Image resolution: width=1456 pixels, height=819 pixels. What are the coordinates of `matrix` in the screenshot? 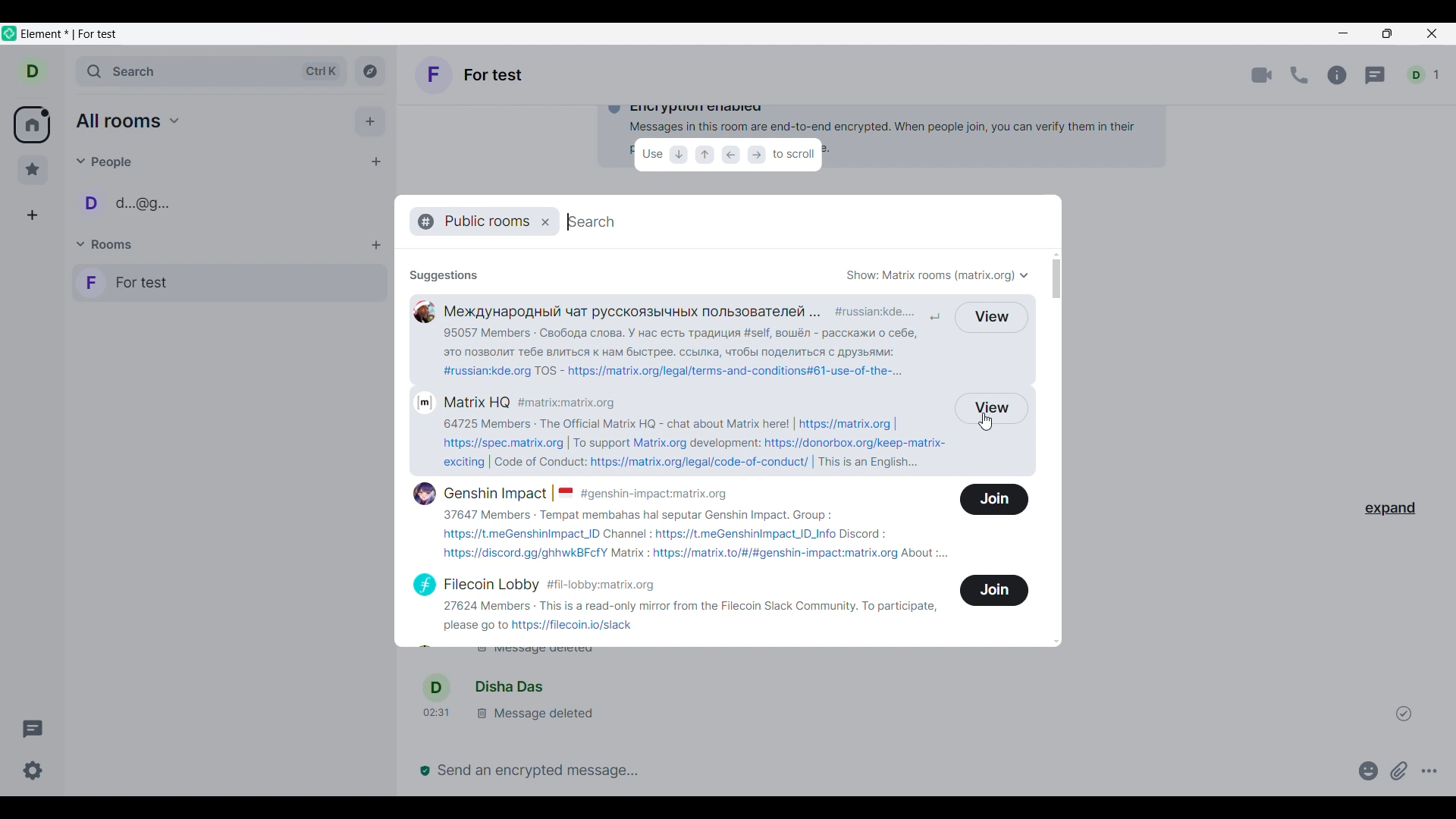 It's located at (629, 554).